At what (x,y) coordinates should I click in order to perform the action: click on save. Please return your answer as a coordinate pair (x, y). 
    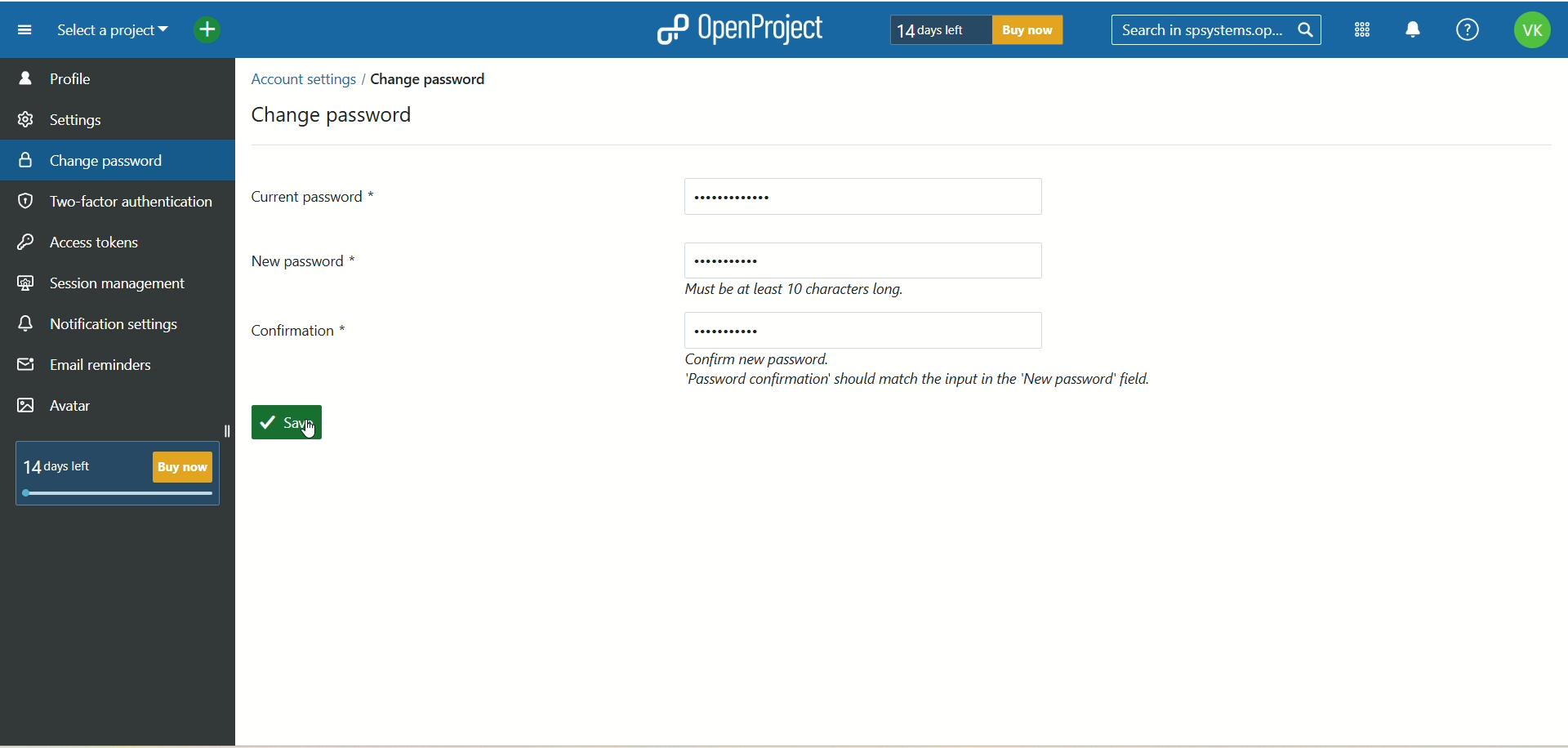
    Looking at the image, I should click on (296, 425).